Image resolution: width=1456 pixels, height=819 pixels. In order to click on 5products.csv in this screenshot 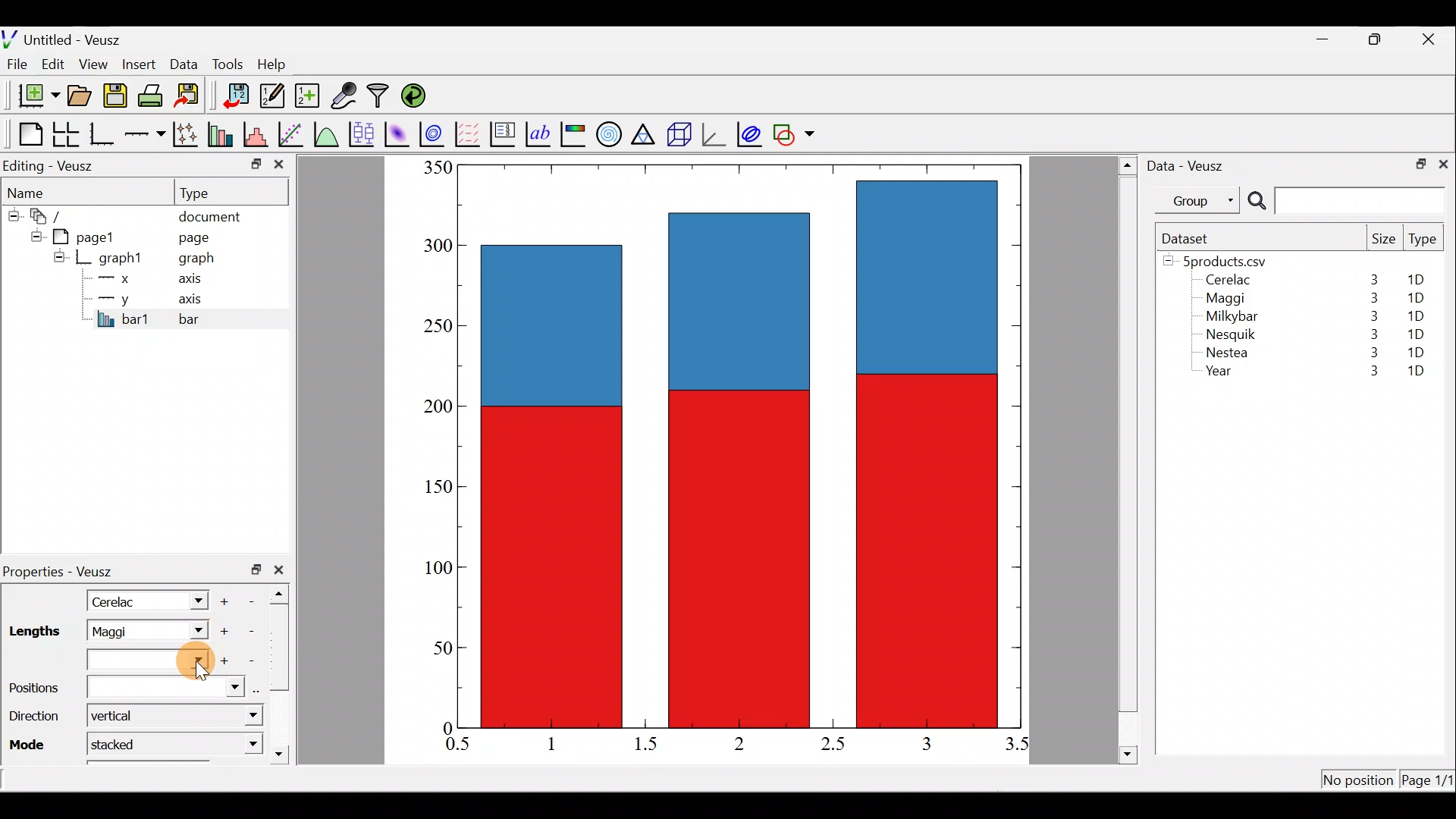, I will do `click(1223, 260)`.